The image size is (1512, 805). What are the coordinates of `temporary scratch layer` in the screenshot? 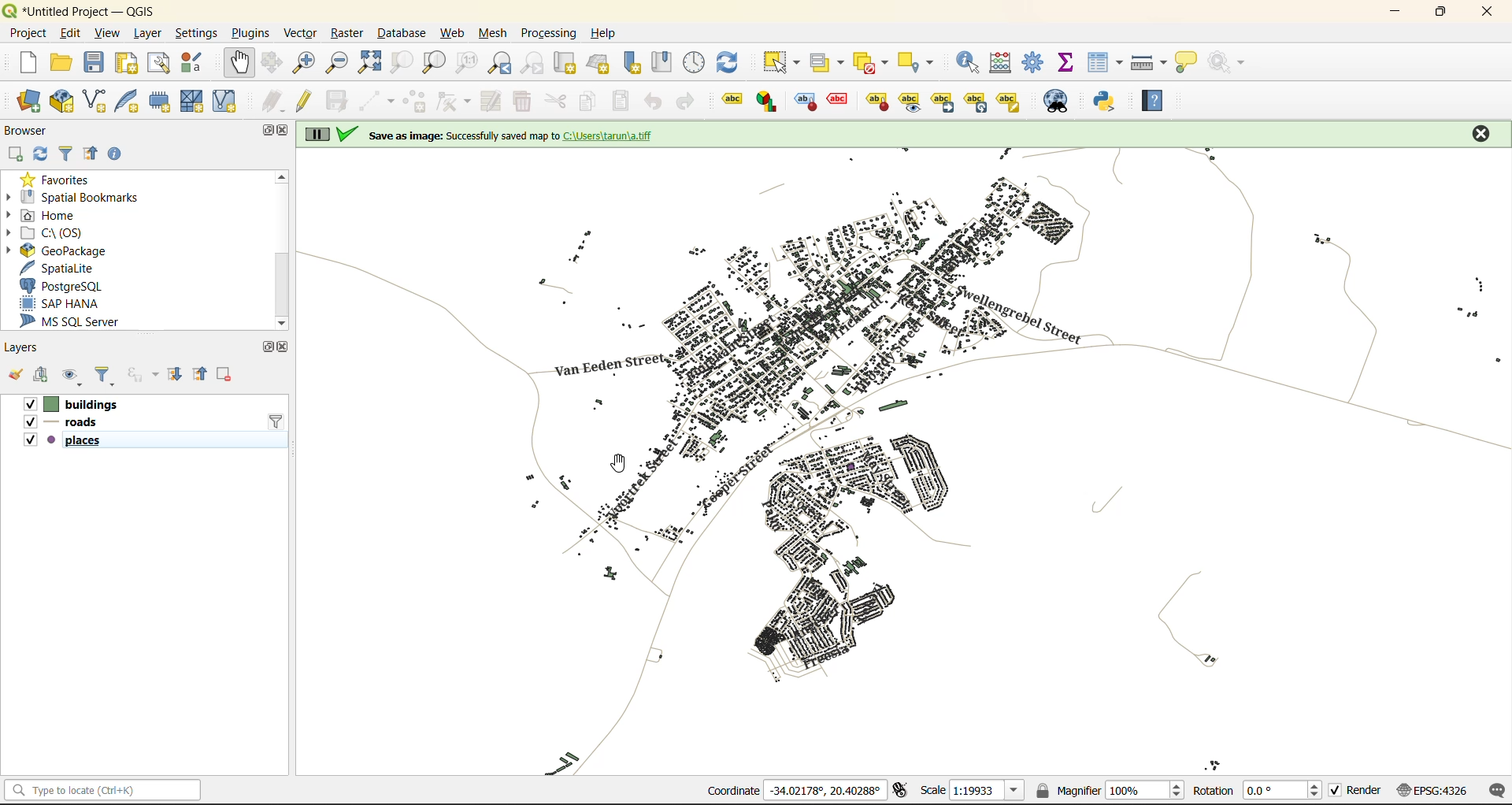 It's located at (161, 102).